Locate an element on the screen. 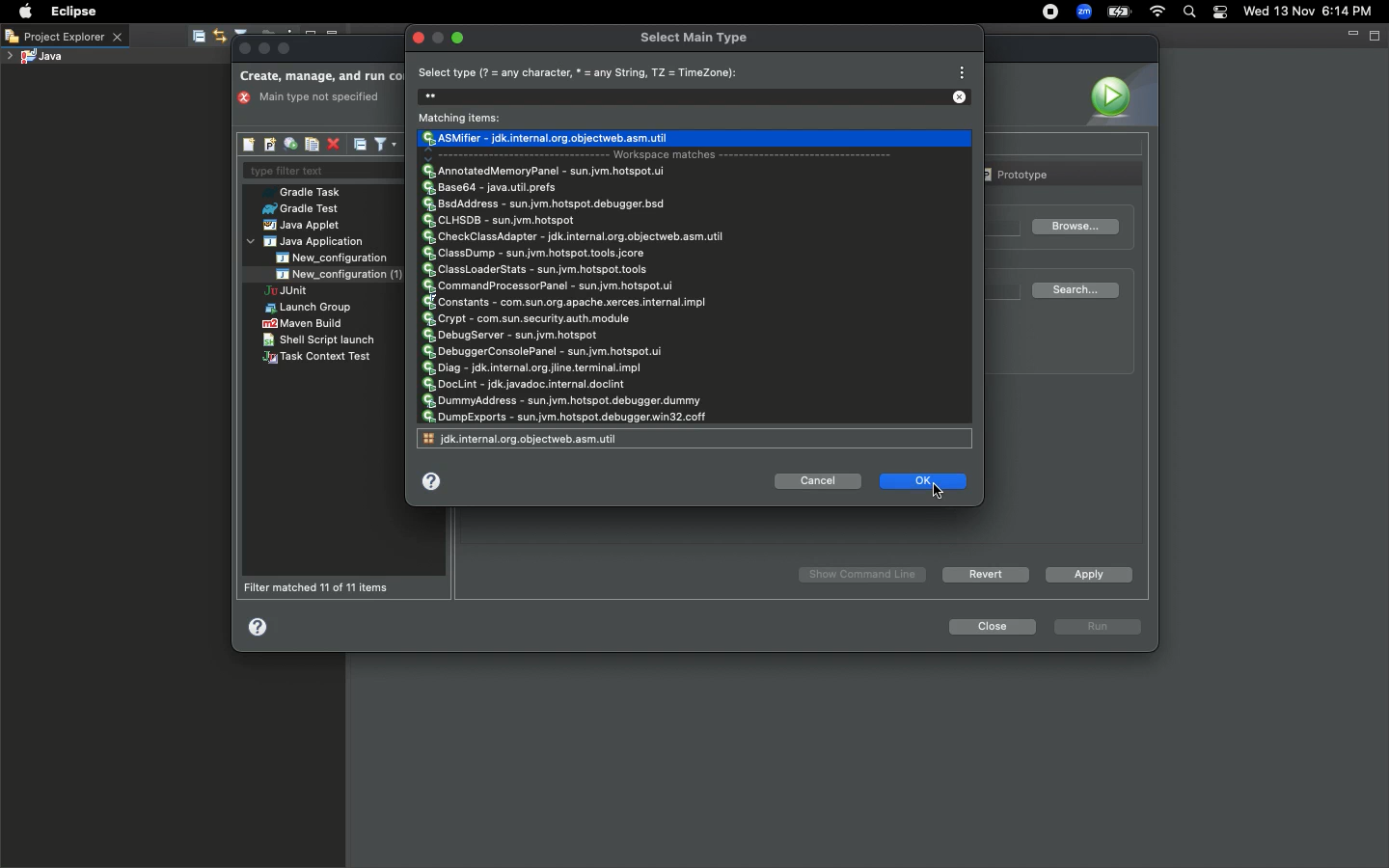 The image size is (1389, 868). Chosen type is located at coordinates (549, 139).